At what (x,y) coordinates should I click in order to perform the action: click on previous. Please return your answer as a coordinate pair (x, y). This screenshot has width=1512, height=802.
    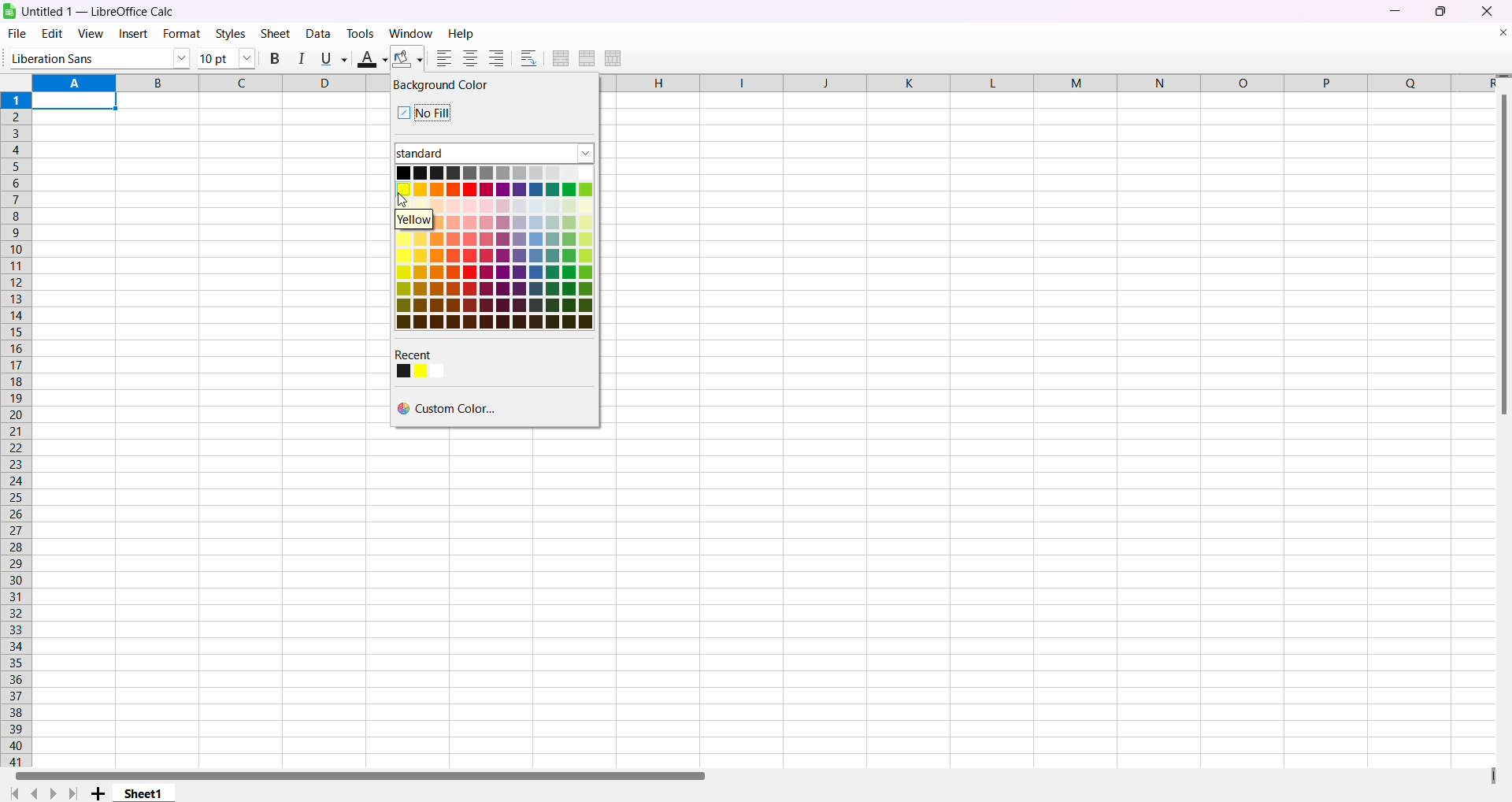
    Looking at the image, I should click on (39, 792).